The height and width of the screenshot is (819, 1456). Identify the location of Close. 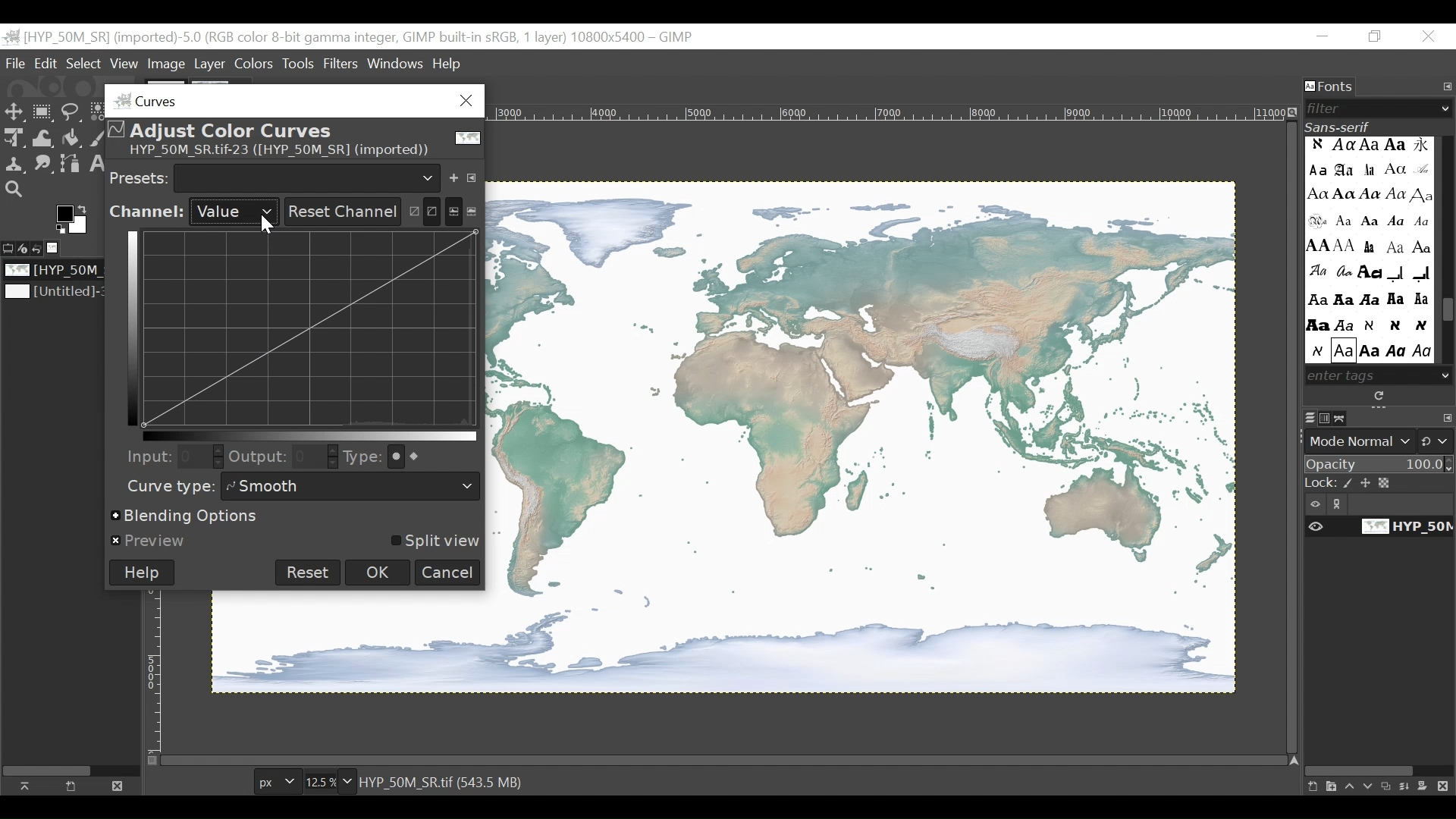
(115, 785).